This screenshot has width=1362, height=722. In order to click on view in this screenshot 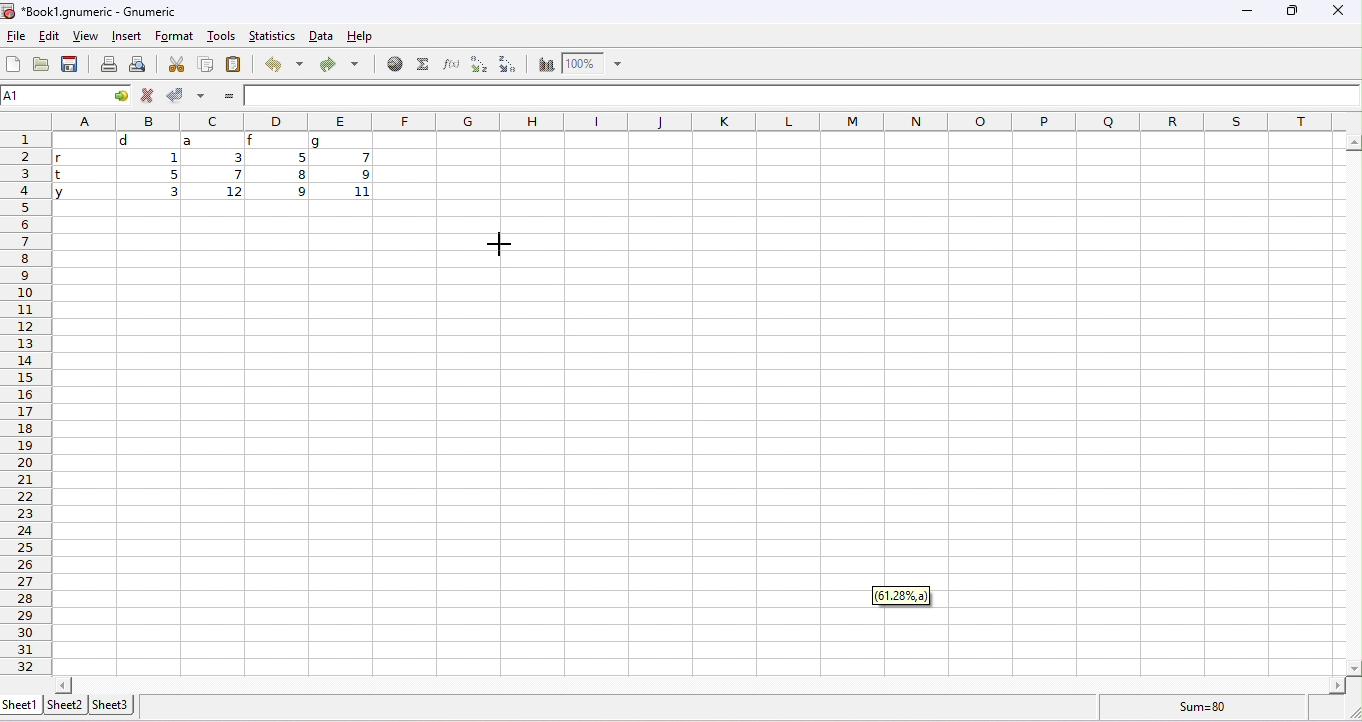, I will do `click(85, 36)`.